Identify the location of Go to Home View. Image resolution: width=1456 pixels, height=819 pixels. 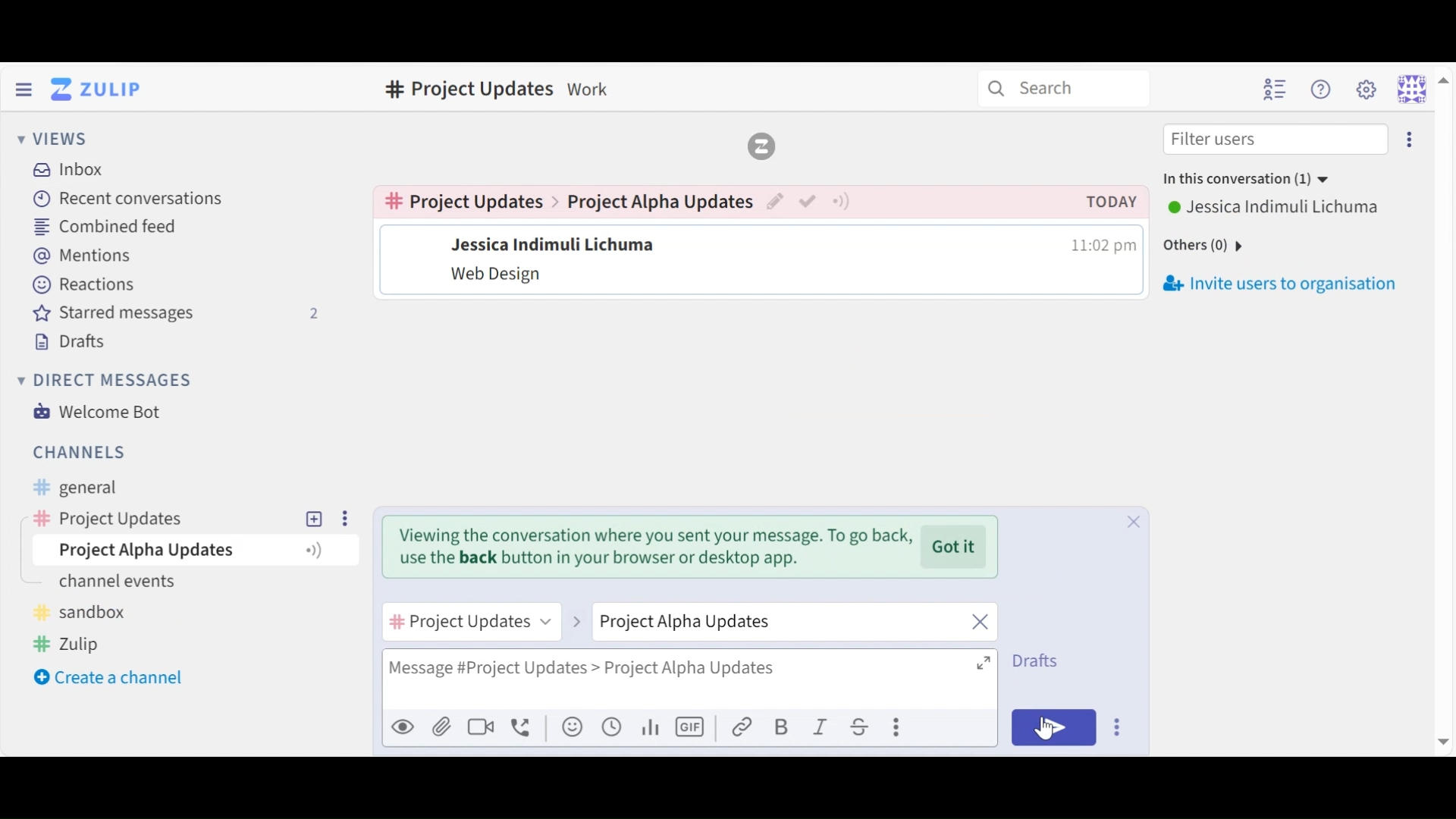
(99, 89).